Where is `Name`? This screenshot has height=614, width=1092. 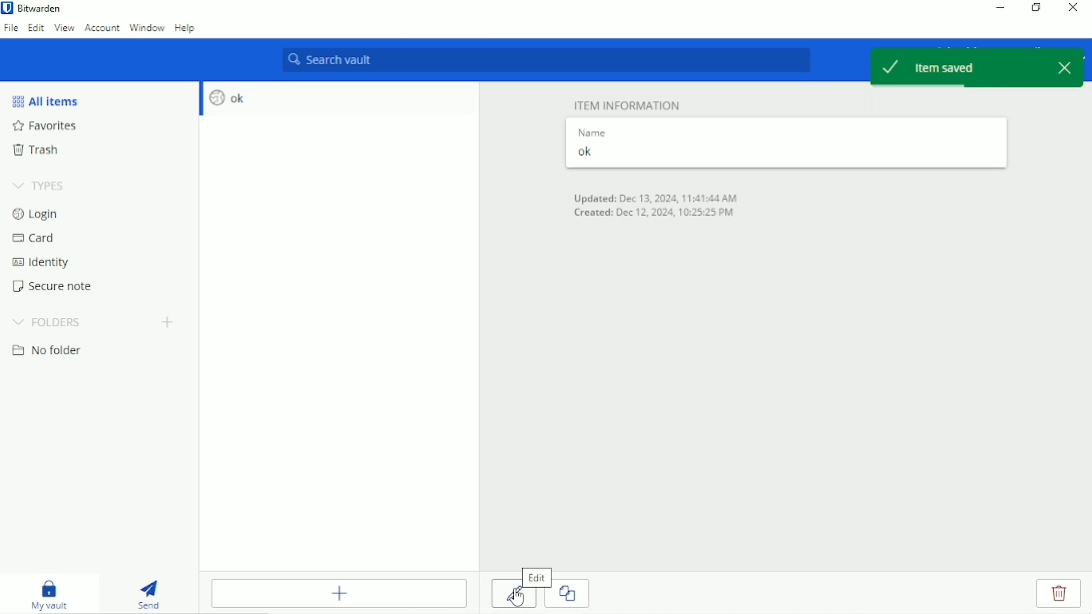 Name is located at coordinates (590, 131).